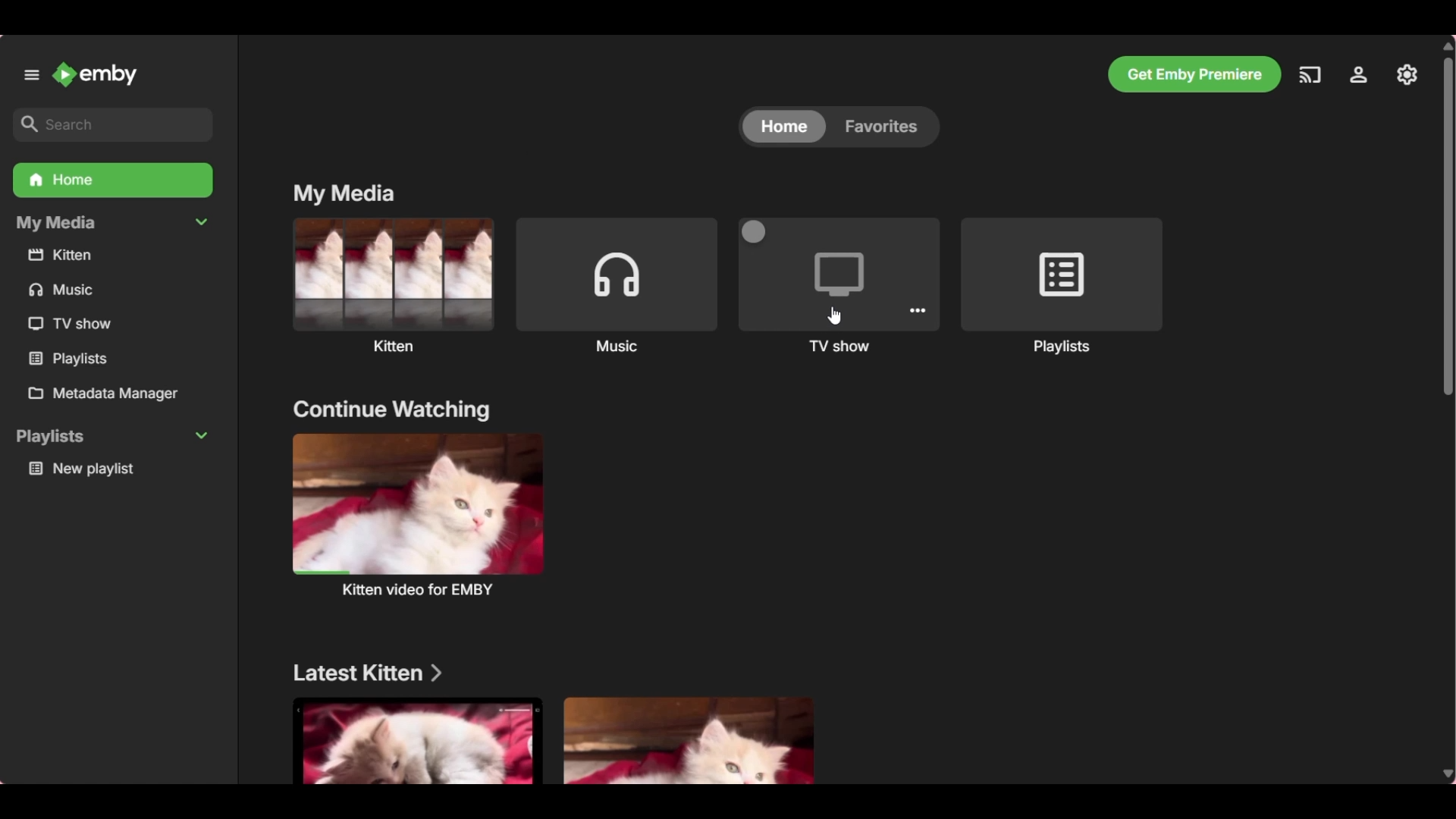 The image size is (1456, 819). Describe the element at coordinates (1445, 775) in the screenshot. I see `Quick slide to bottom` at that location.